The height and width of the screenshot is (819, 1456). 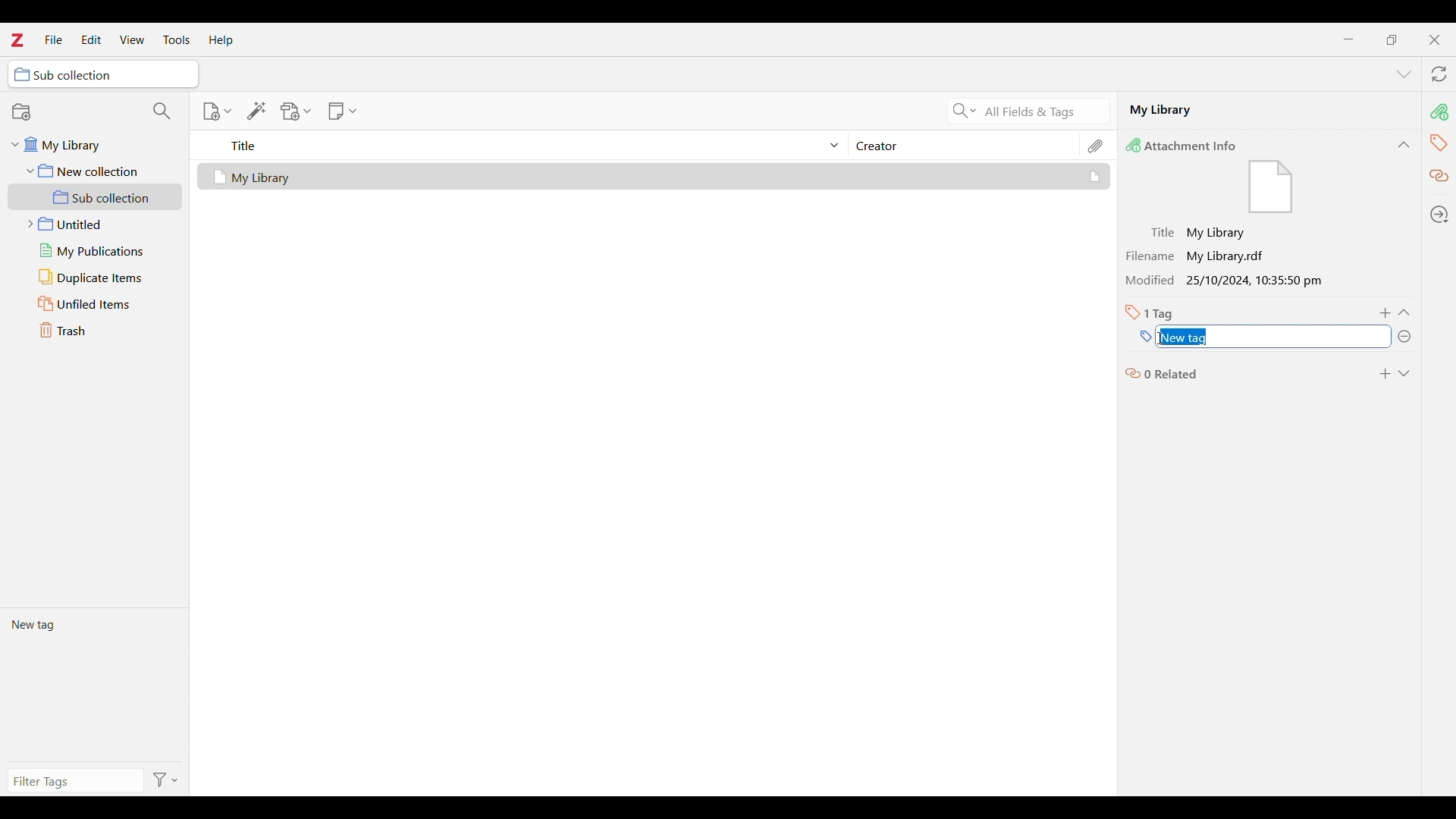 What do you see at coordinates (343, 111) in the screenshot?
I see `New note options` at bounding box center [343, 111].